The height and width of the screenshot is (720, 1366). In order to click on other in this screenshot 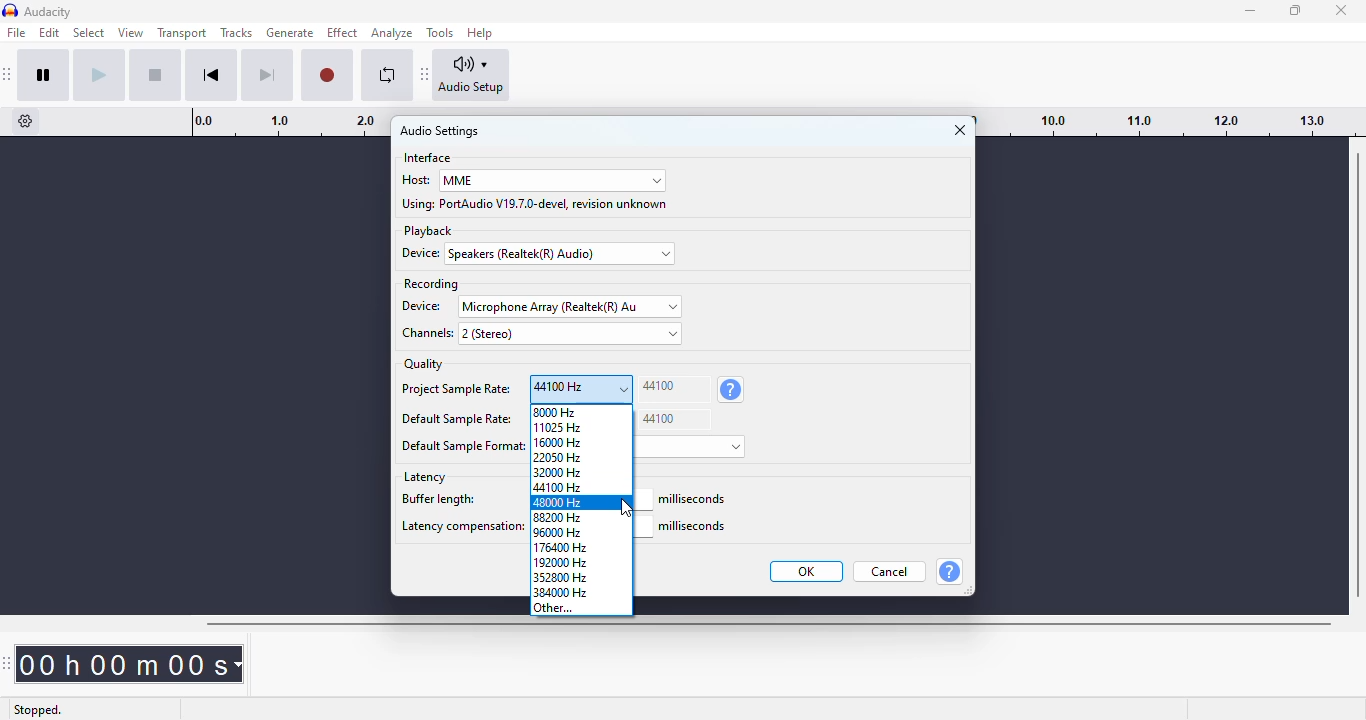, I will do `click(581, 608)`.